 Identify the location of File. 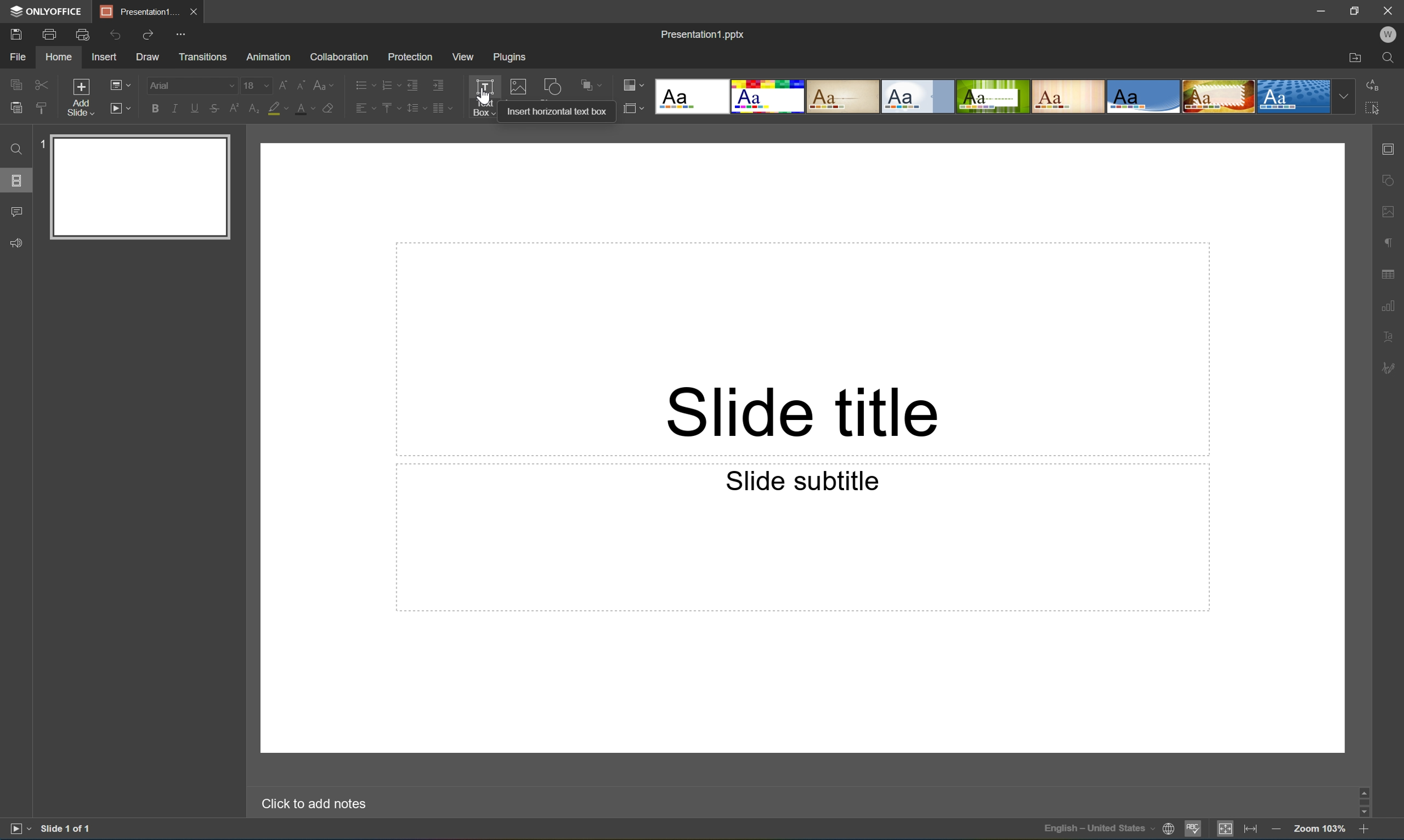
(18, 57).